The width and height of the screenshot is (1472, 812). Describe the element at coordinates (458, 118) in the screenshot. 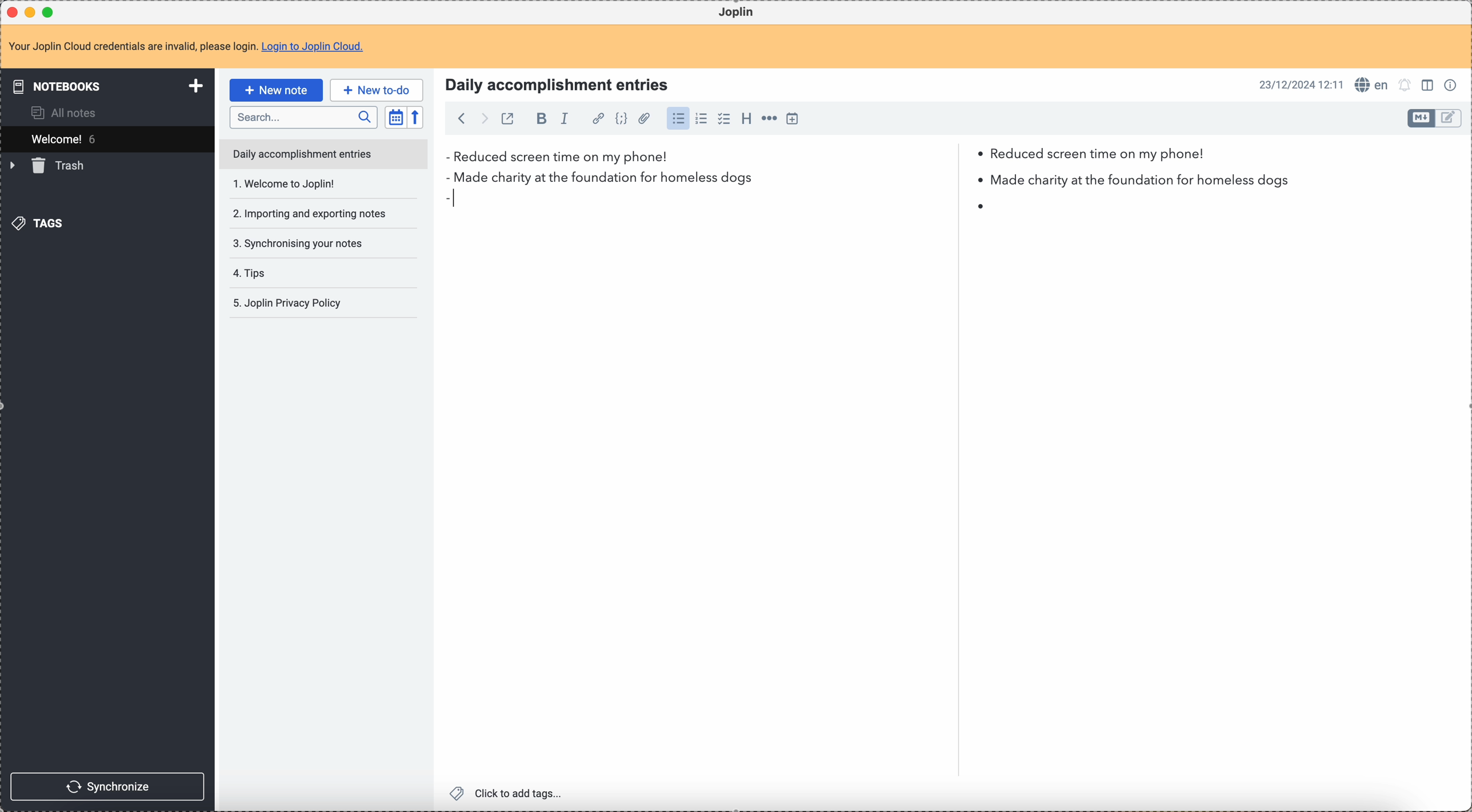

I see `back` at that location.